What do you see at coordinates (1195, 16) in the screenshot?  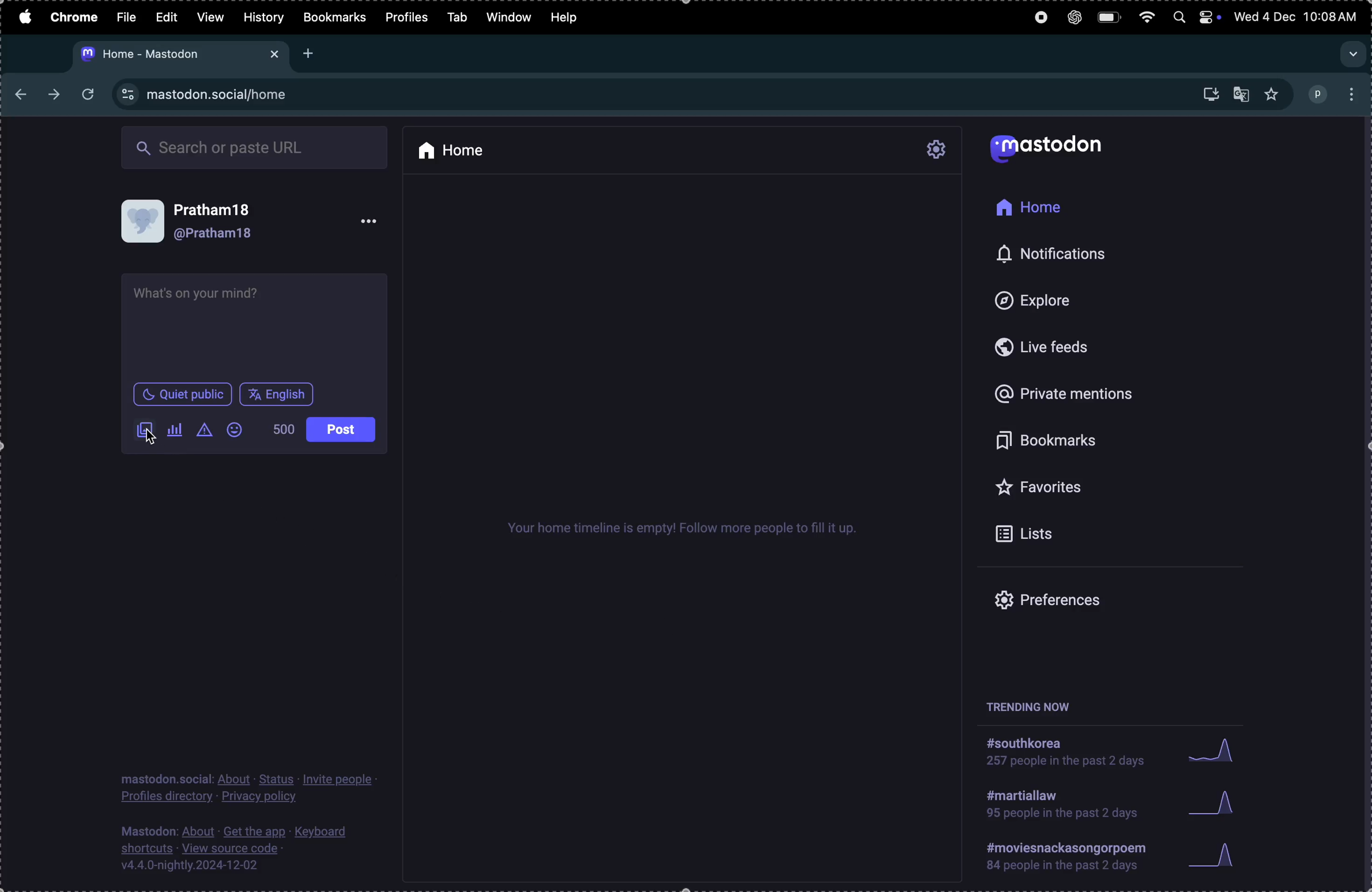 I see `apple widgets` at bounding box center [1195, 16].